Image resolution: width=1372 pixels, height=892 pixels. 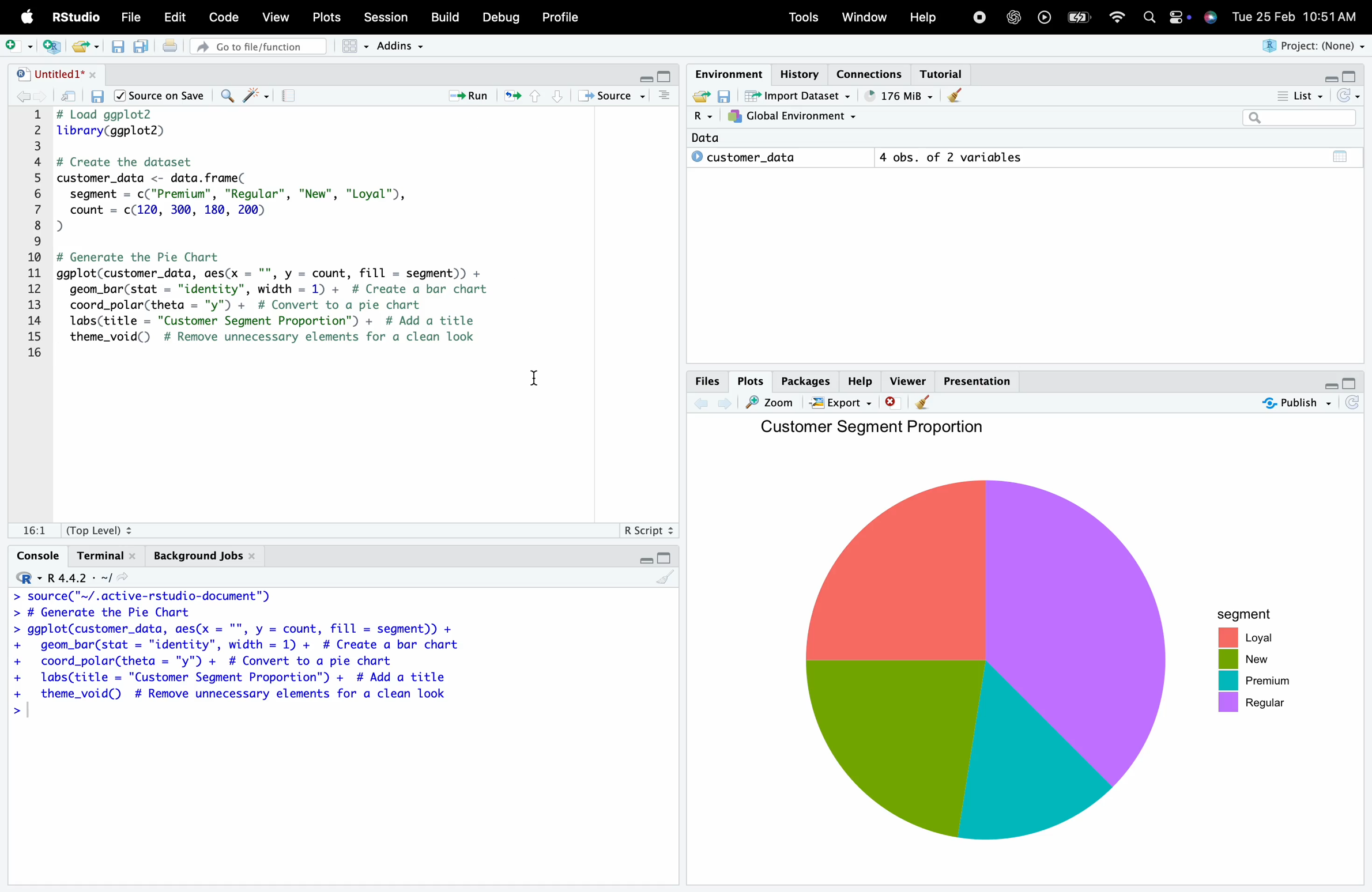 I want to click on Console, so click(x=38, y=551).